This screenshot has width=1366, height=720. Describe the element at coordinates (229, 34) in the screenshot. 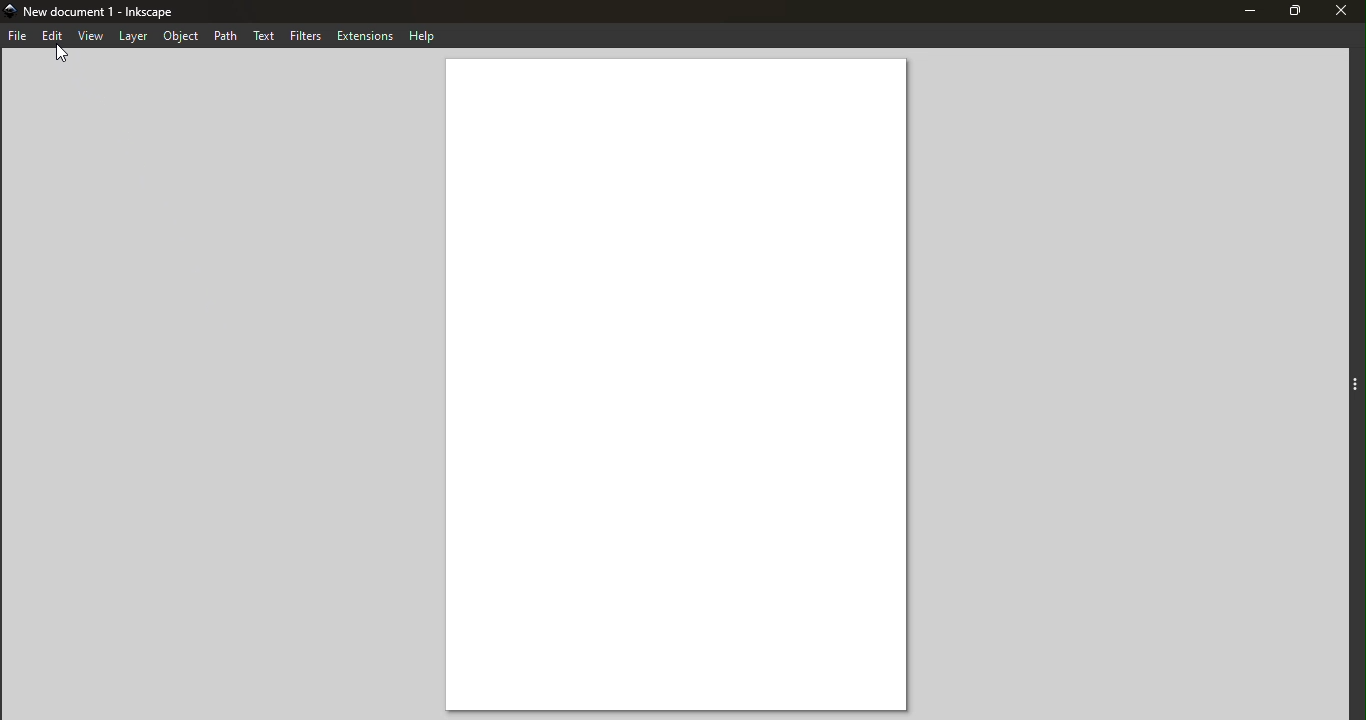

I see `Path` at that location.